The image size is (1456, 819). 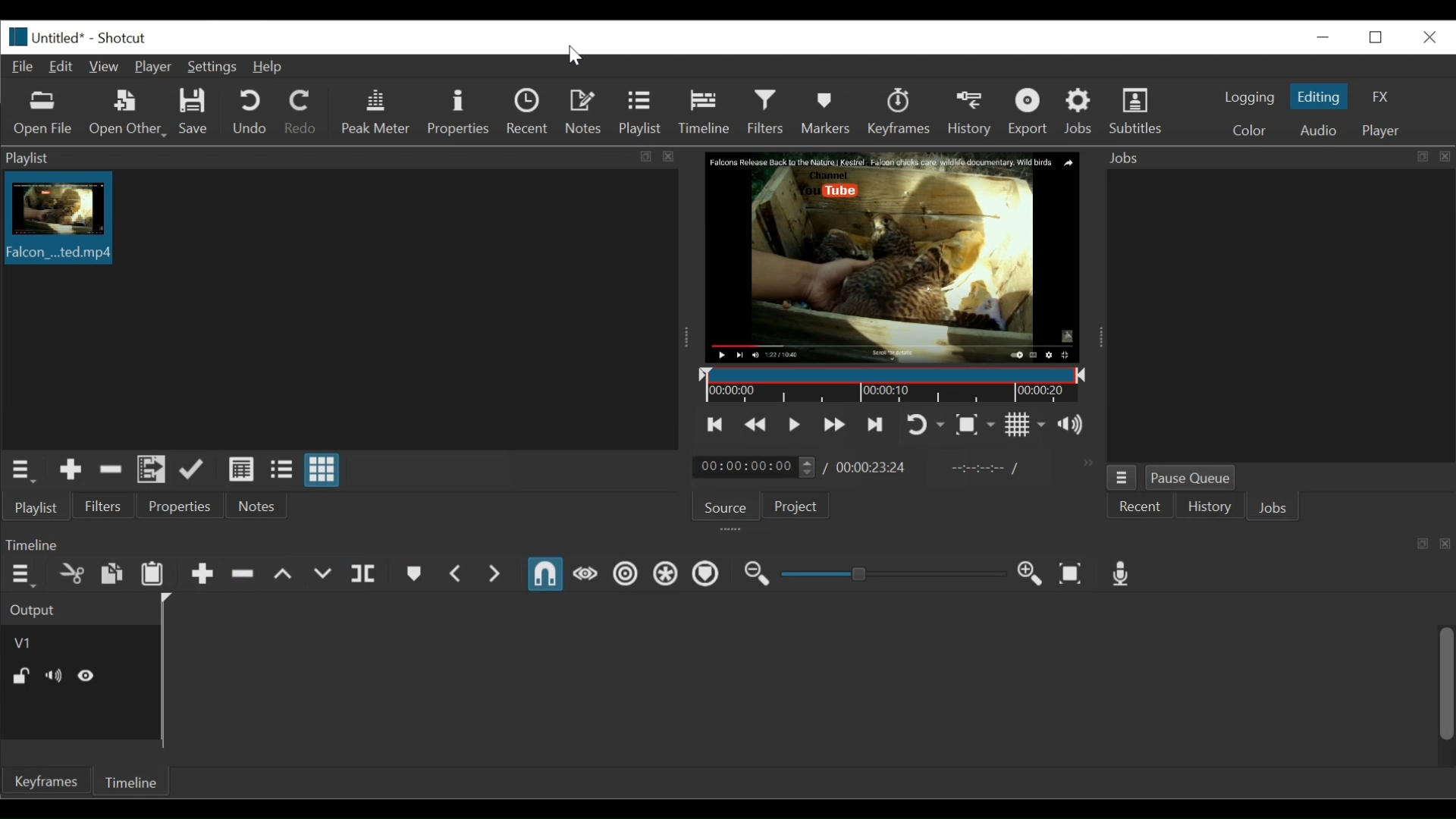 What do you see at coordinates (266, 67) in the screenshot?
I see `Help` at bounding box center [266, 67].